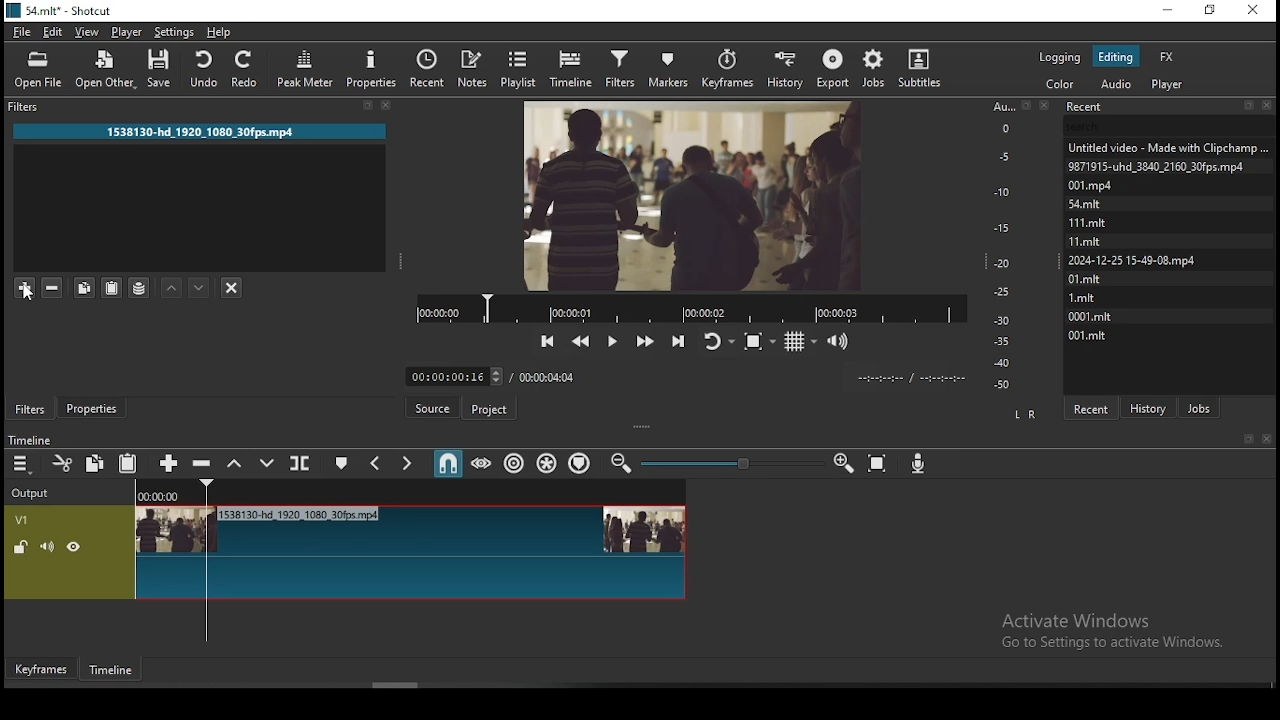 This screenshot has height=720, width=1280. I want to click on ripple delete, so click(201, 462).